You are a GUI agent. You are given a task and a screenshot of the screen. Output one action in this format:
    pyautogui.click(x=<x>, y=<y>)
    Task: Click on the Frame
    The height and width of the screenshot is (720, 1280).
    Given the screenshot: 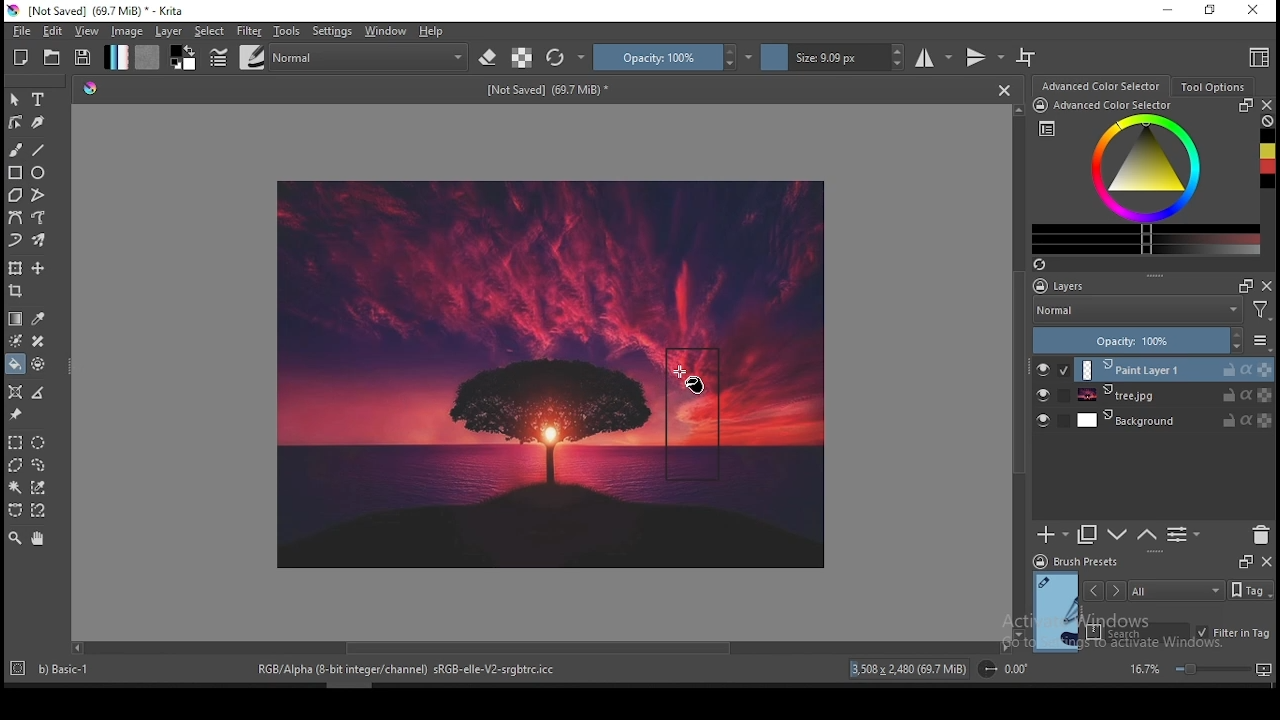 What is the action you would take?
    pyautogui.click(x=1243, y=562)
    